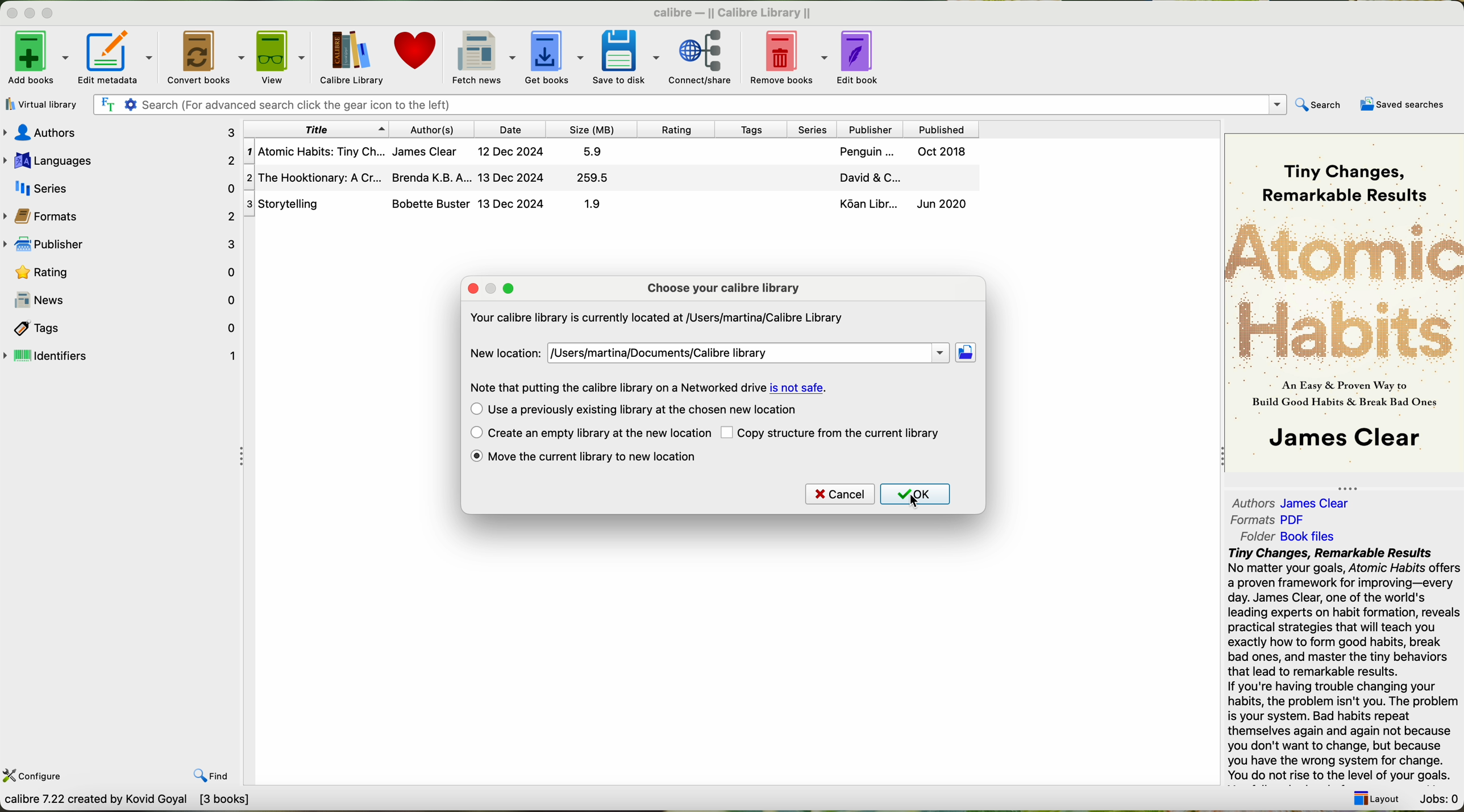 Image resolution: width=1464 pixels, height=812 pixels. Describe the element at coordinates (940, 128) in the screenshot. I see `published` at that location.